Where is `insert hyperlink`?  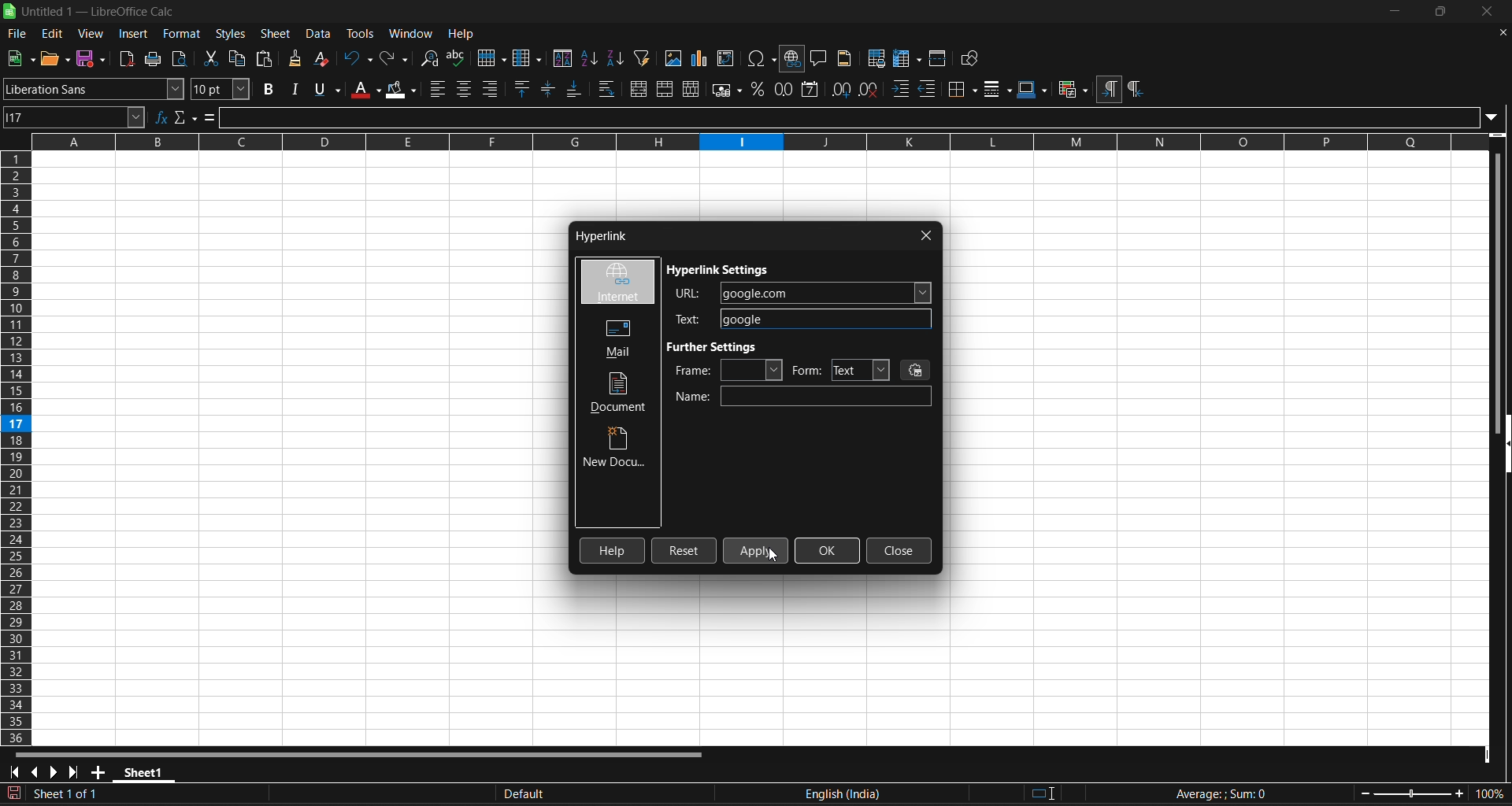 insert hyperlink is located at coordinates (793, 59).